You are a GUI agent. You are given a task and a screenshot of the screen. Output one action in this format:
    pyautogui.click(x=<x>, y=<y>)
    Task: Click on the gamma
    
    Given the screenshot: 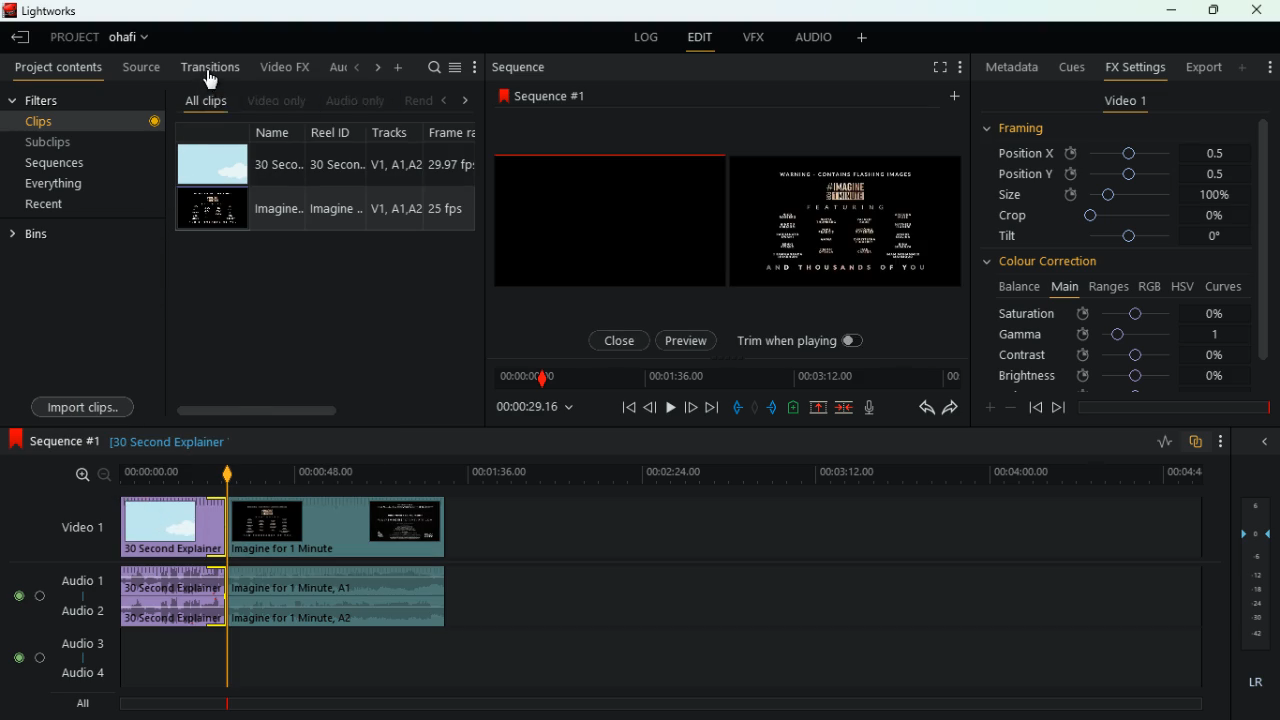 What is the action you would take?
    pyautogui.click(x=1110, y=334)
    